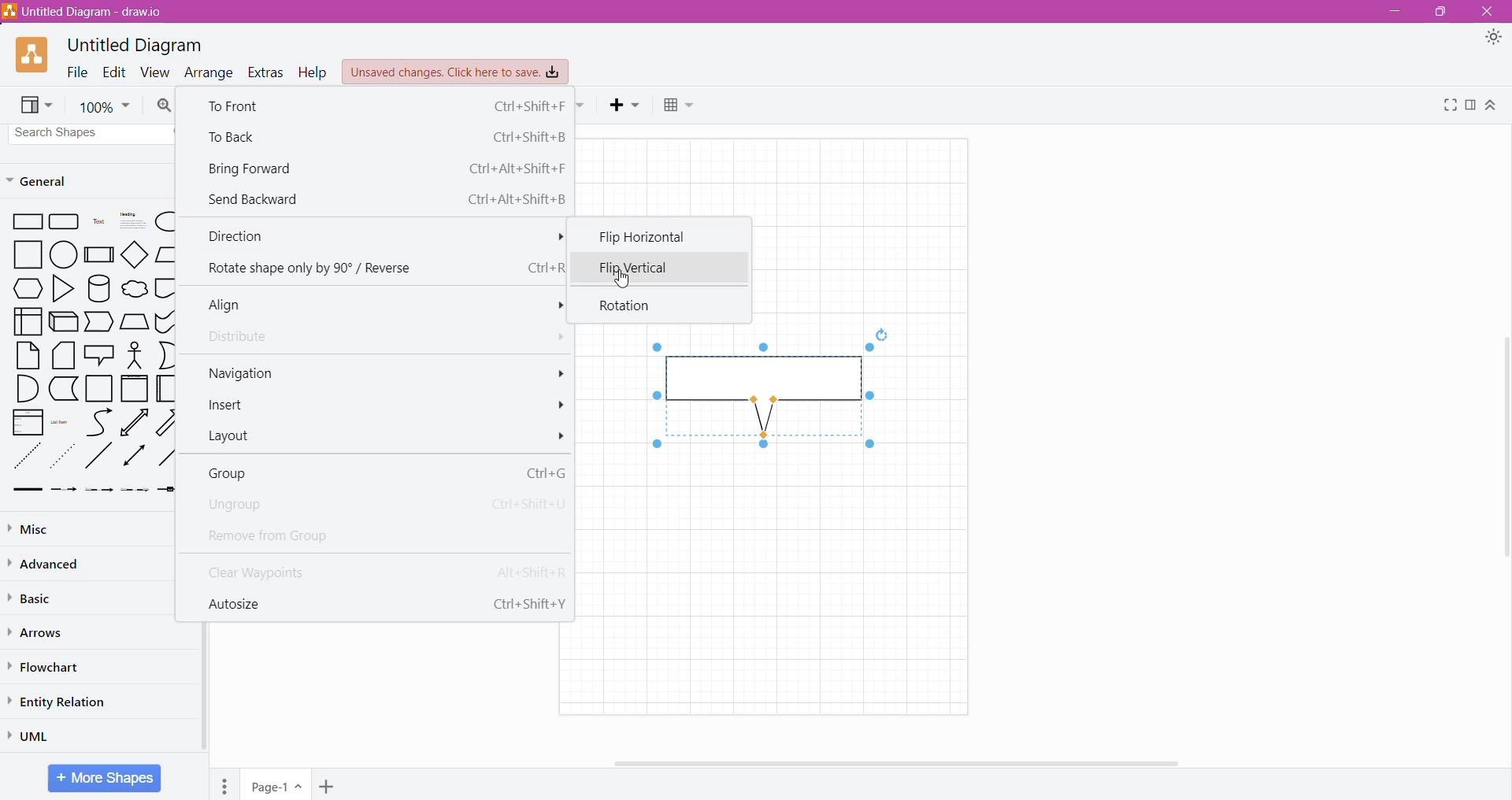 This screenshot has height=800, width=1512. Describe the element at coordinates (626, 106) in the screenshot. I see `Insert` at that location.